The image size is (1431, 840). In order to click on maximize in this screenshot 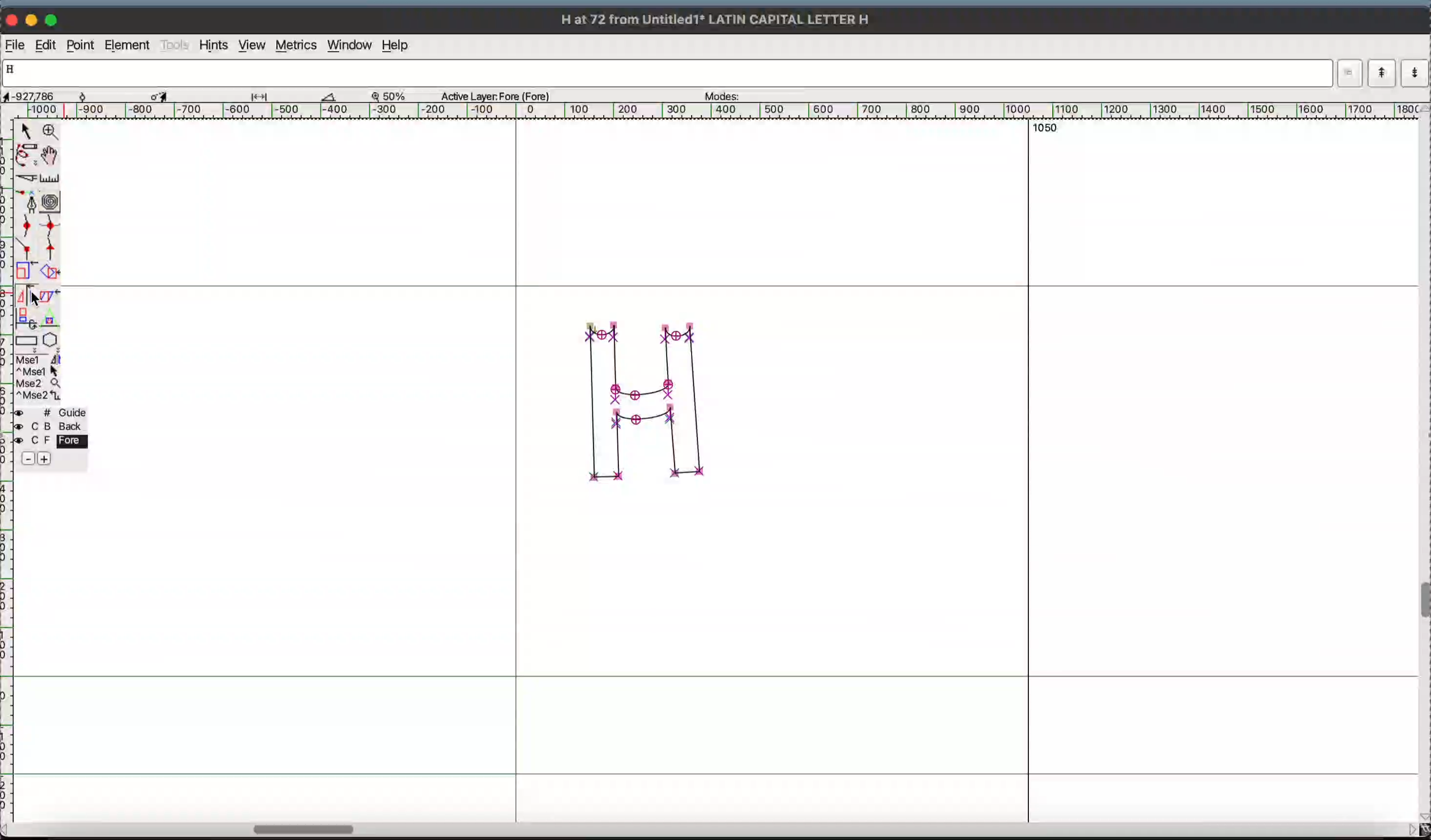, I will do `click(54, 20)`.